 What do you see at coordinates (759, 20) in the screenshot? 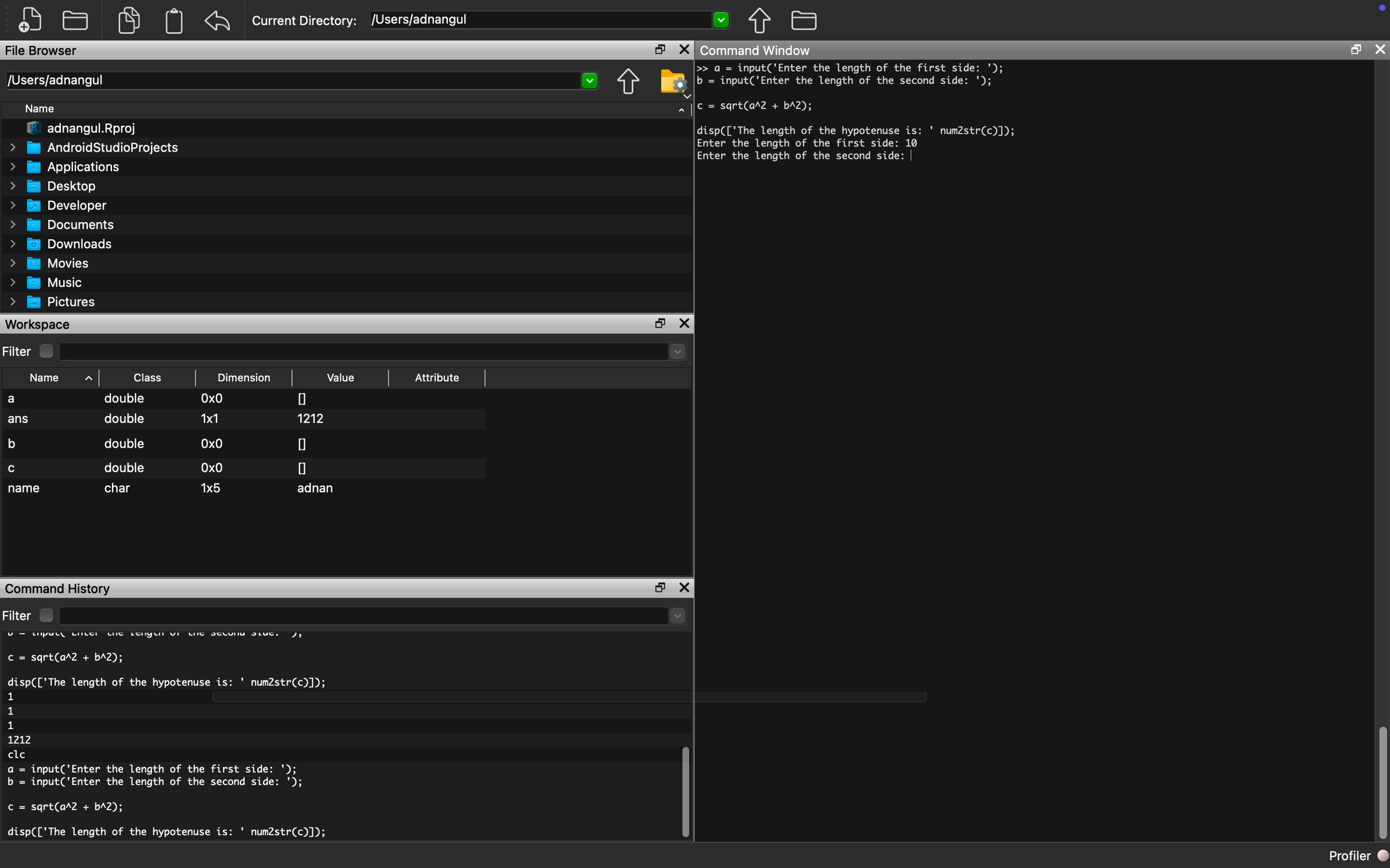
I see `move up` at bounding box center [759, 20].